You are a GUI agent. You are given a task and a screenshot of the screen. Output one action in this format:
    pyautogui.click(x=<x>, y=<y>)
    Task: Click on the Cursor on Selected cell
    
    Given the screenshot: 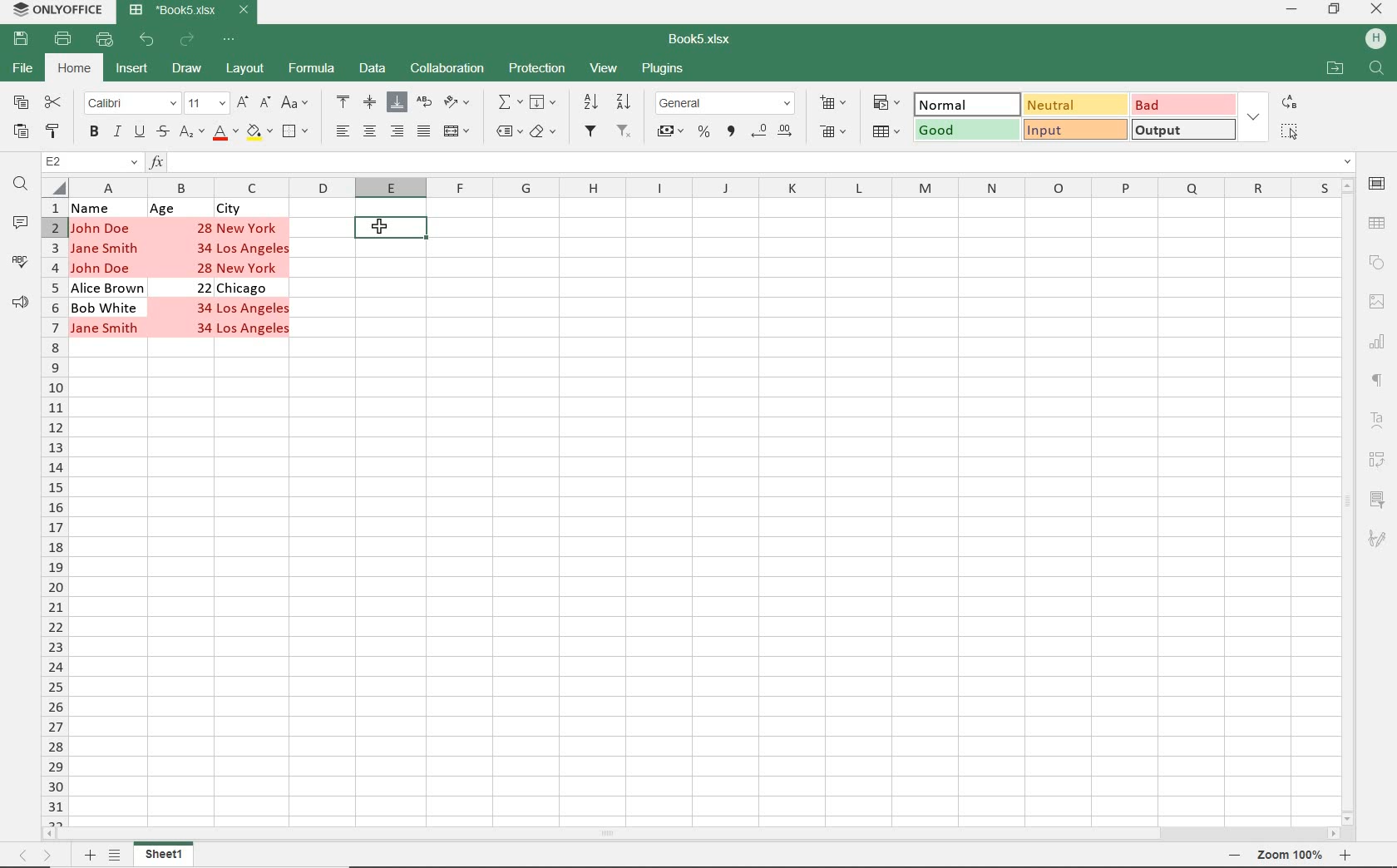 What is the action you would take?
    pyautogui.click(x=380, y=227)
    